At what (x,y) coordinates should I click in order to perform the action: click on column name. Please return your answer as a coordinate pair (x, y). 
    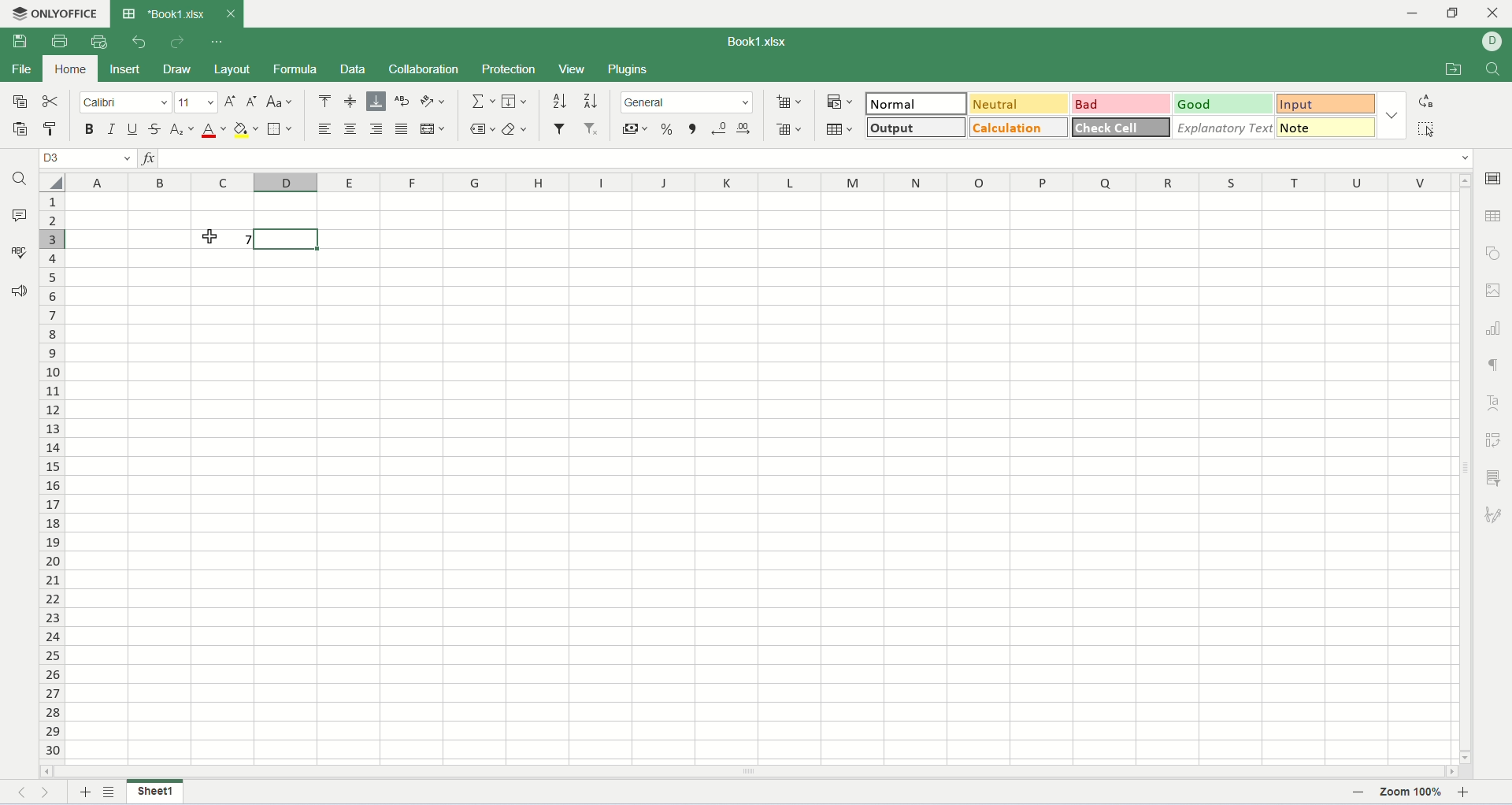
    Looking at the image, I should click on (760, 182).